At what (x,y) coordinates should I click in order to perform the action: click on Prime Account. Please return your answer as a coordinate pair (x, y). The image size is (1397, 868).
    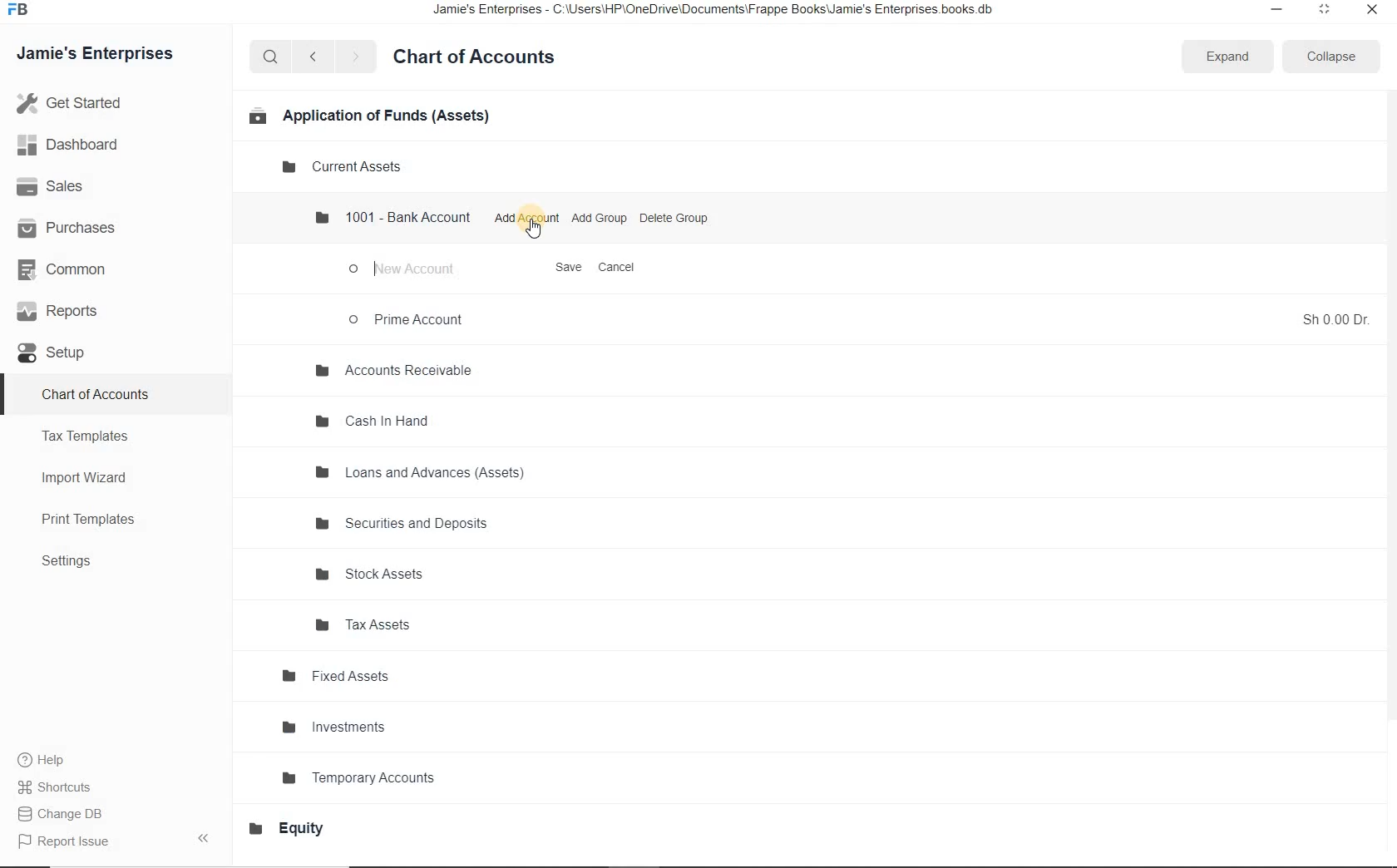
    Looking at the image, I should click on (409, 318).